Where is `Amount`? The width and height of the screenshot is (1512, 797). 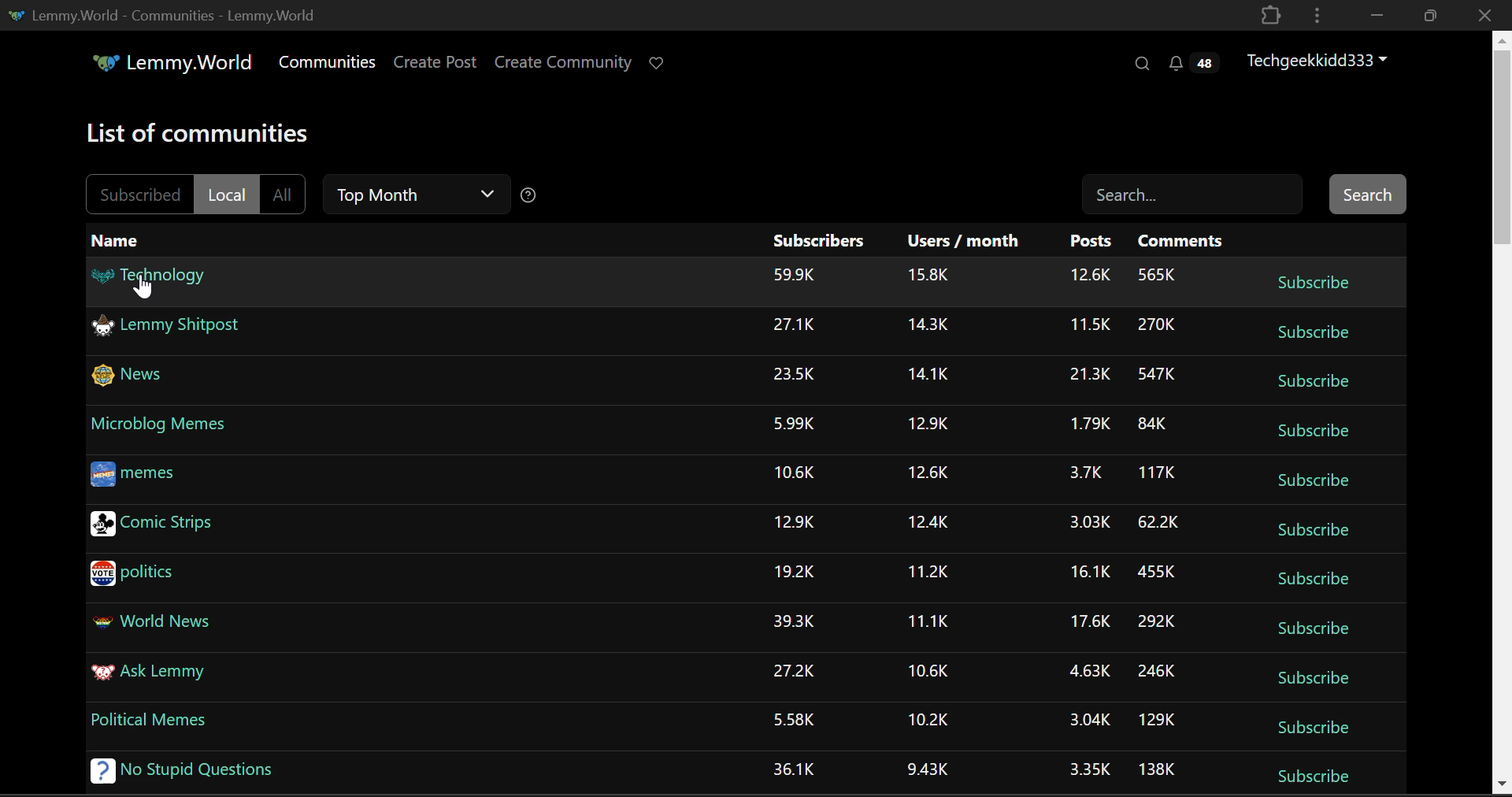
Amount is located at coordinates (795, 572).